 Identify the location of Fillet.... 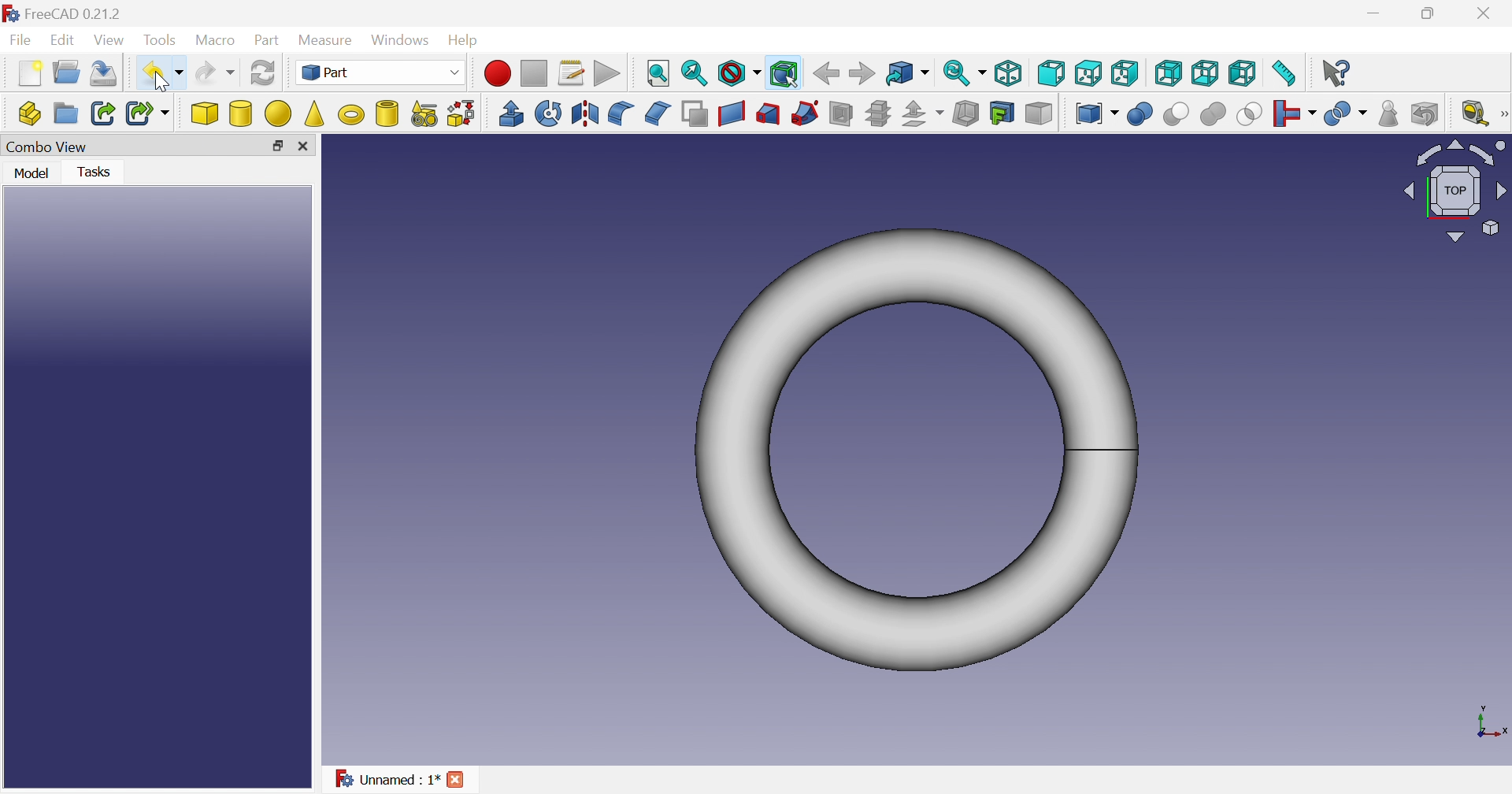
(621, 114).